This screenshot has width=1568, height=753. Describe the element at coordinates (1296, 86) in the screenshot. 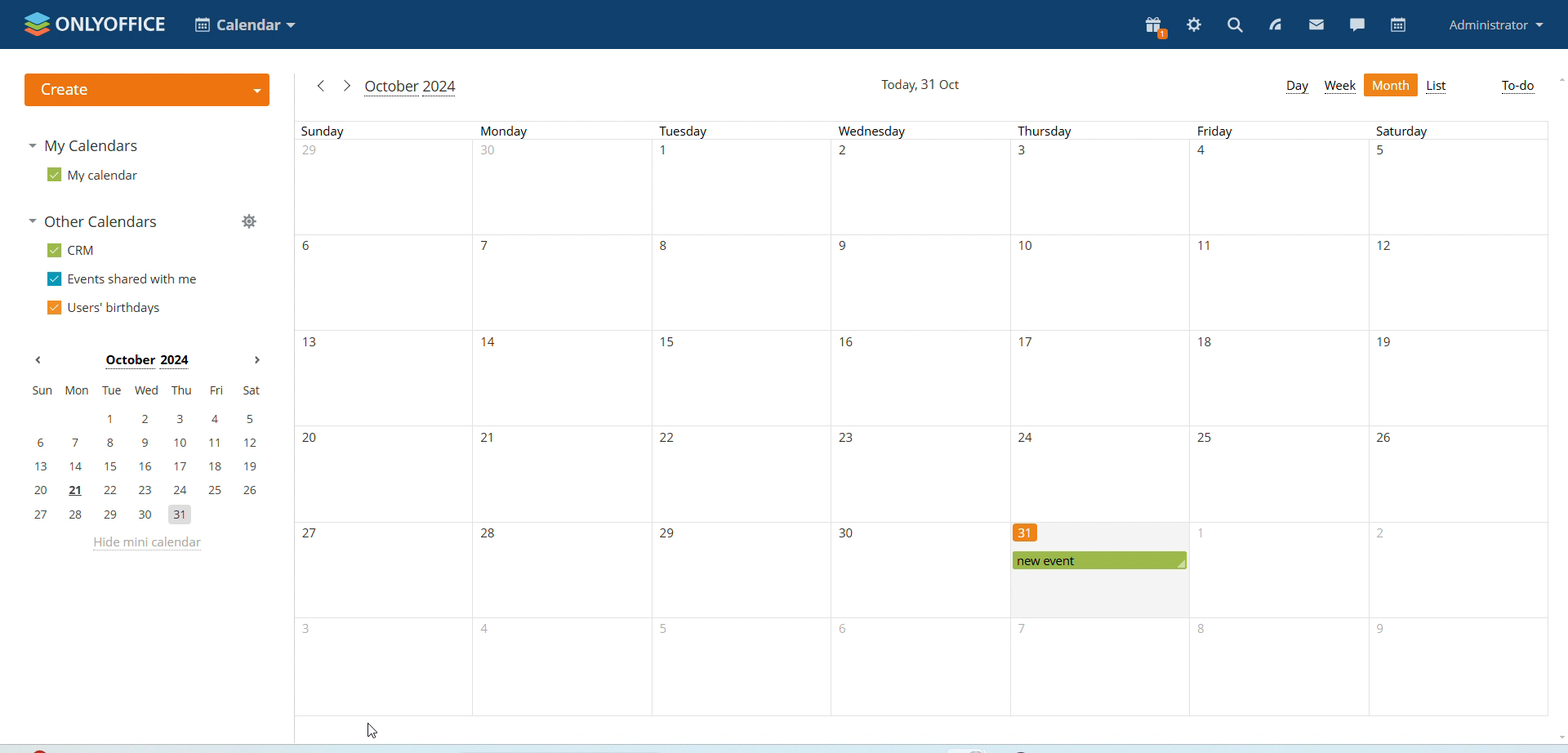

I see `day view` at that location.